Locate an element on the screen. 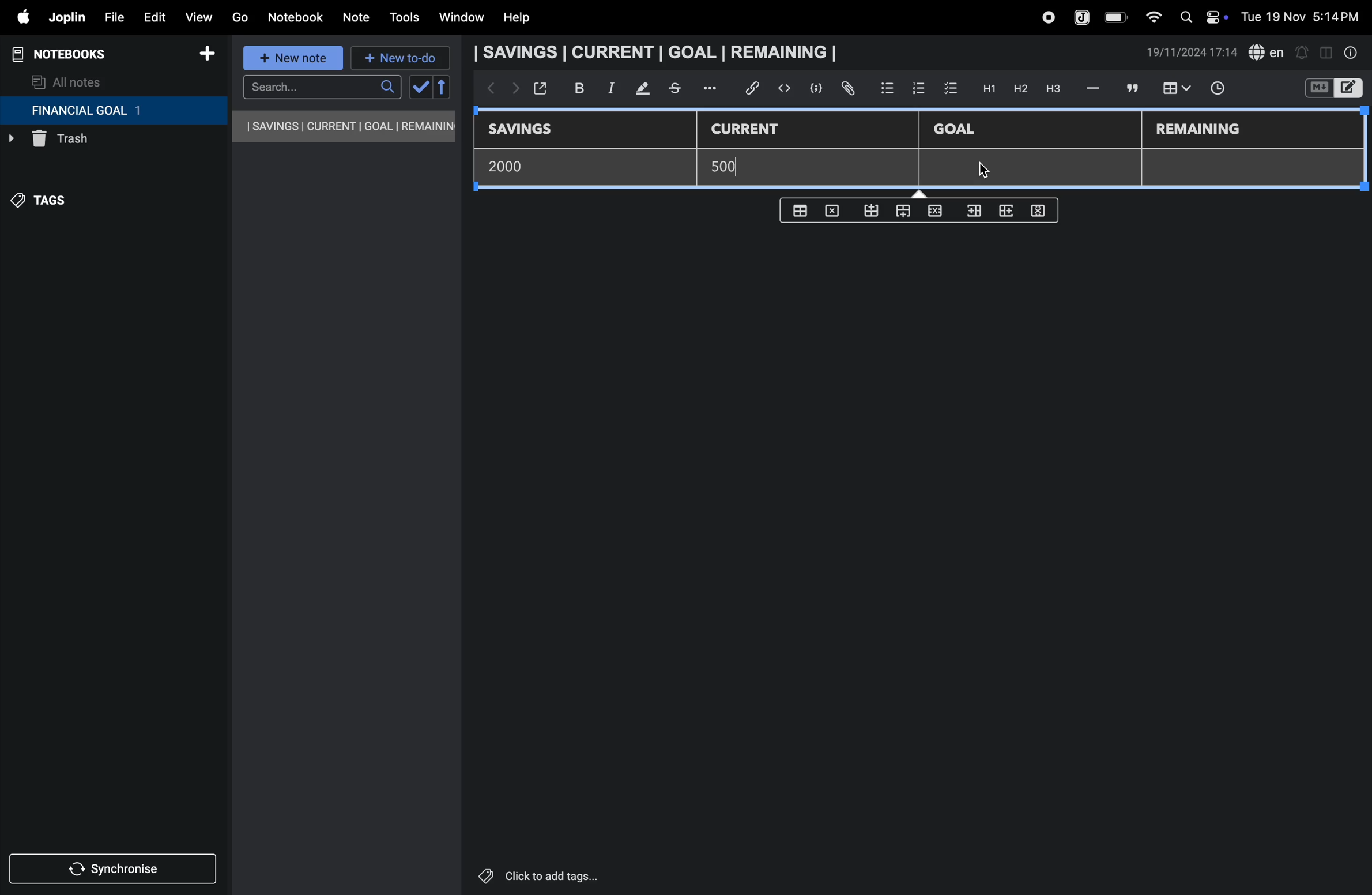  joplin is located at coordinates (1083, 16).